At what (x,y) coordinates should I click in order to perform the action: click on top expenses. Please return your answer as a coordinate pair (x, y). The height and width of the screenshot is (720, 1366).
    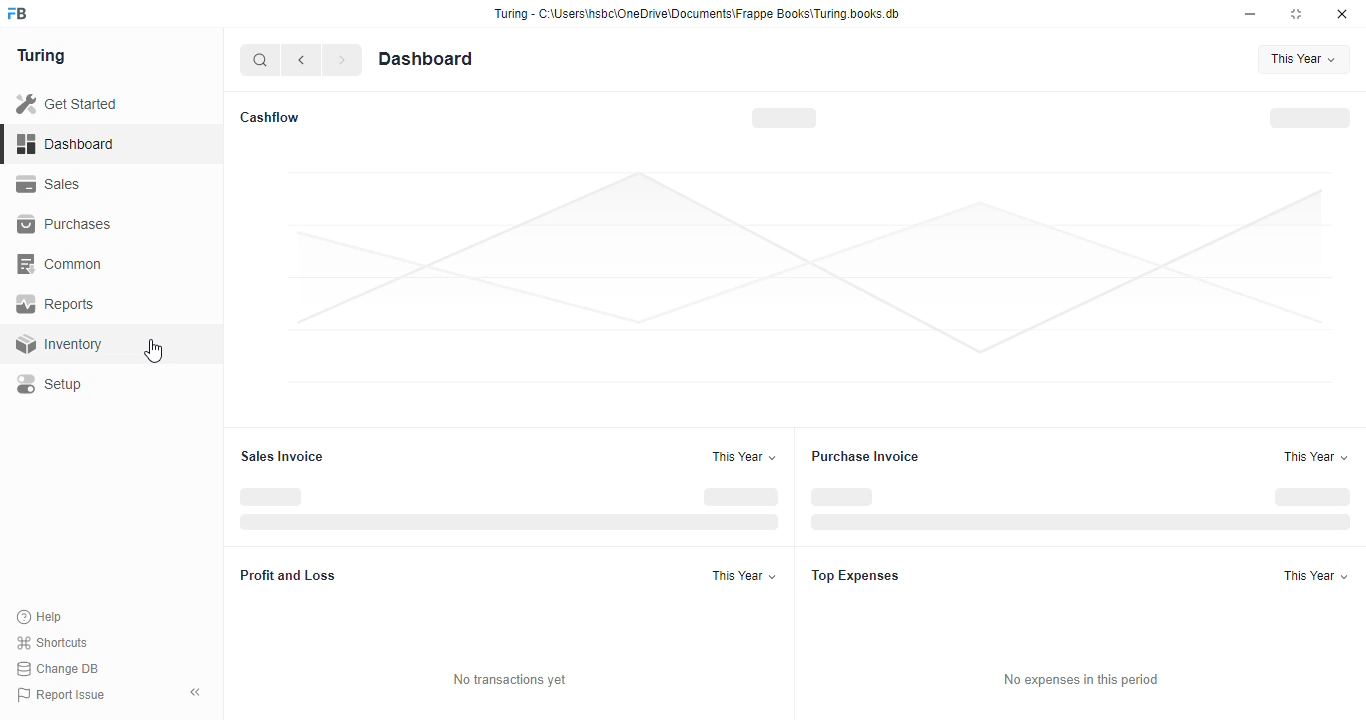
    Looking at the image, I should click on (855, 575).